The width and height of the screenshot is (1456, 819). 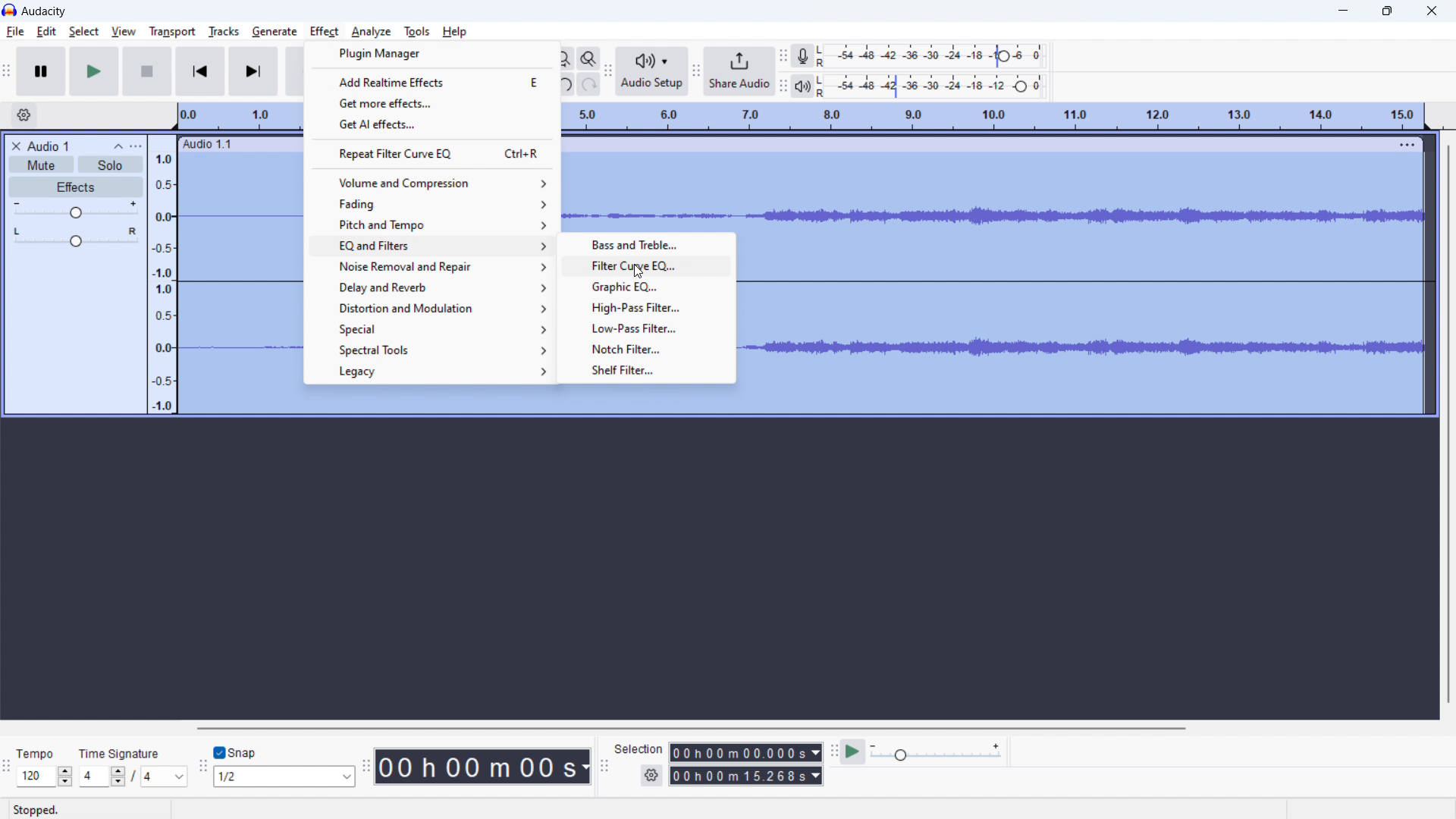 I want to click on pan: center, so click(x=76, y=237).